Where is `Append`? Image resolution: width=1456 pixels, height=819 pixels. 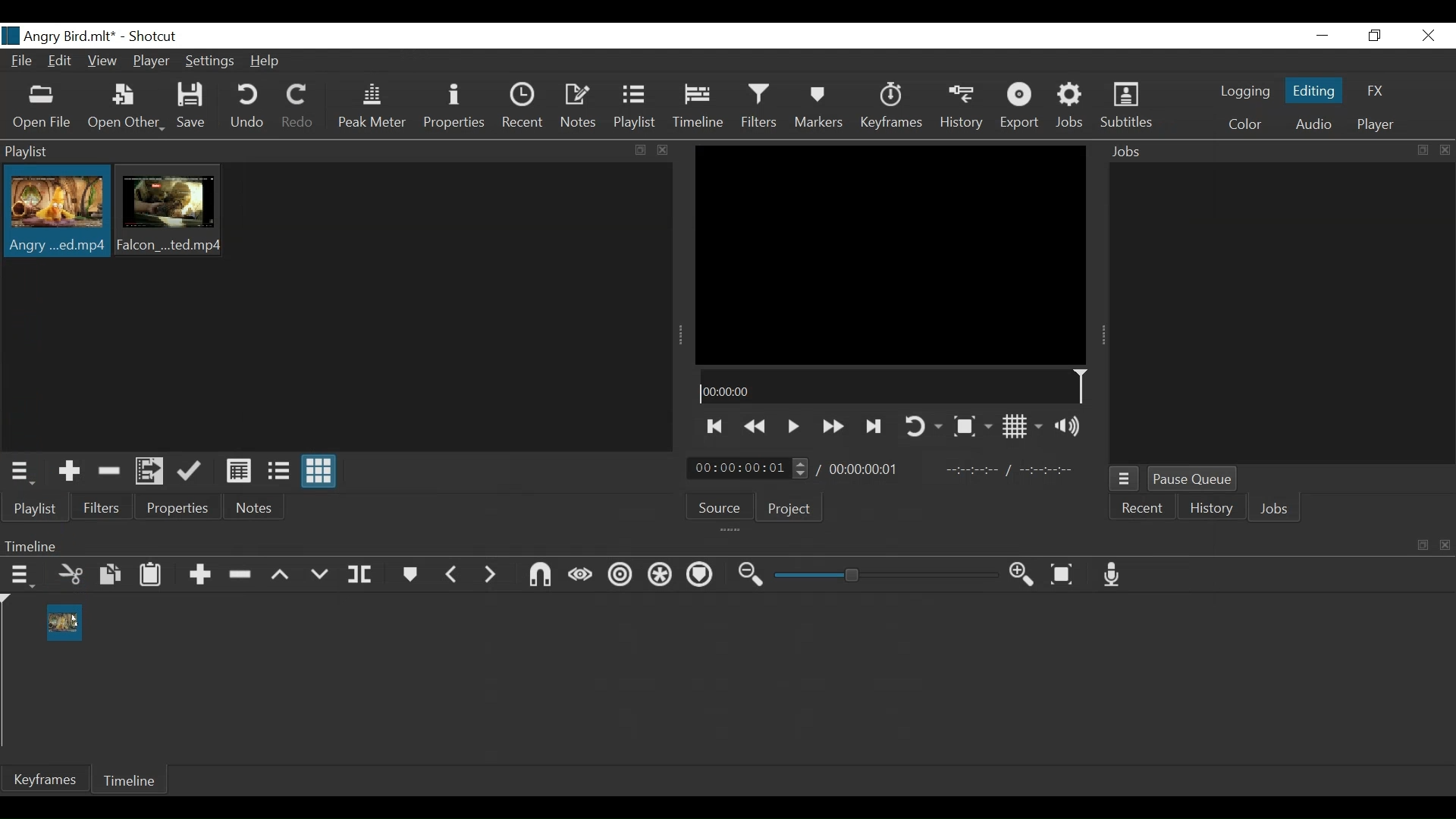
Append is located at coordinates (202, 577).